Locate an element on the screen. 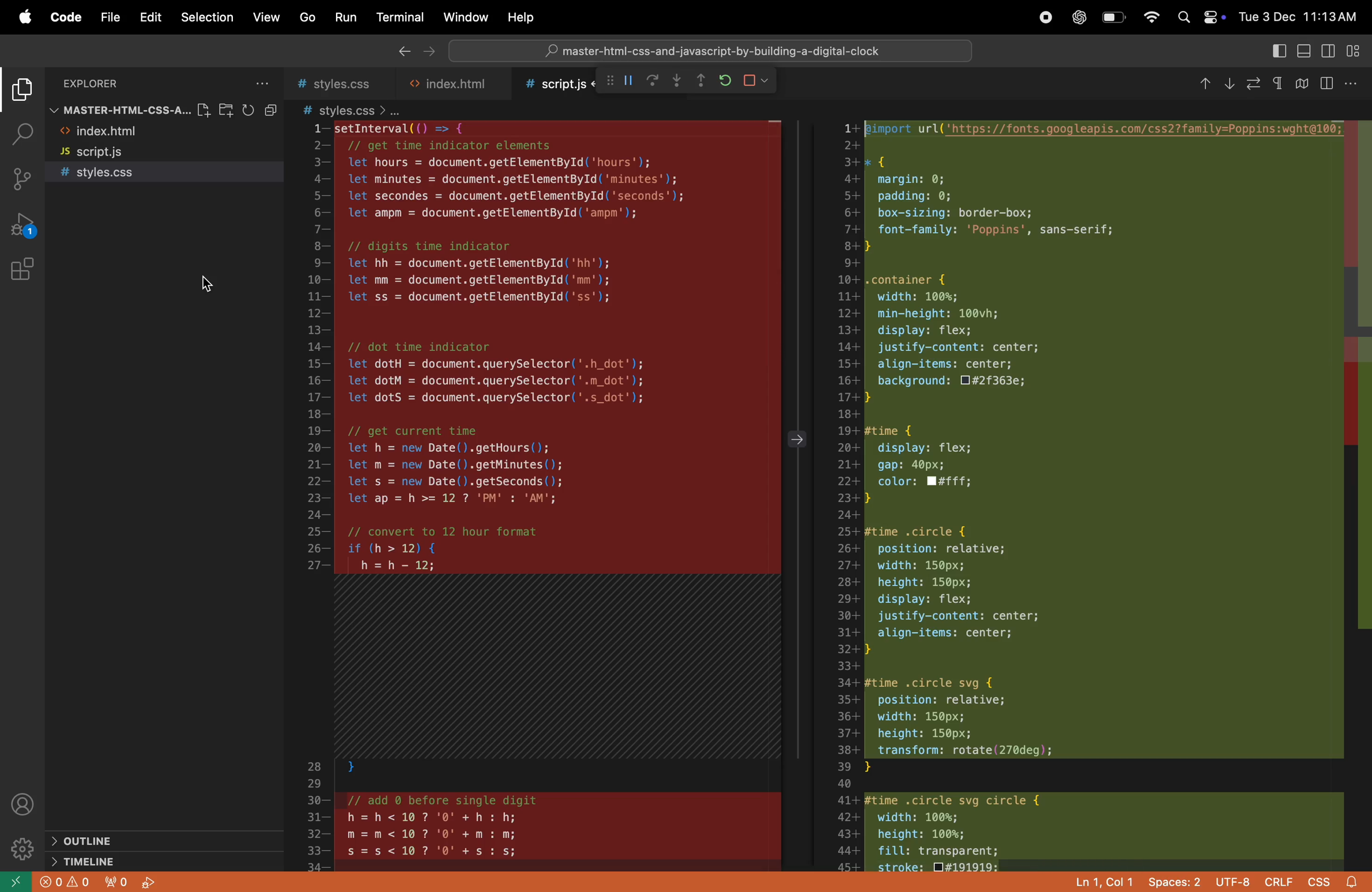  step out is located at coordinates (701, 84).